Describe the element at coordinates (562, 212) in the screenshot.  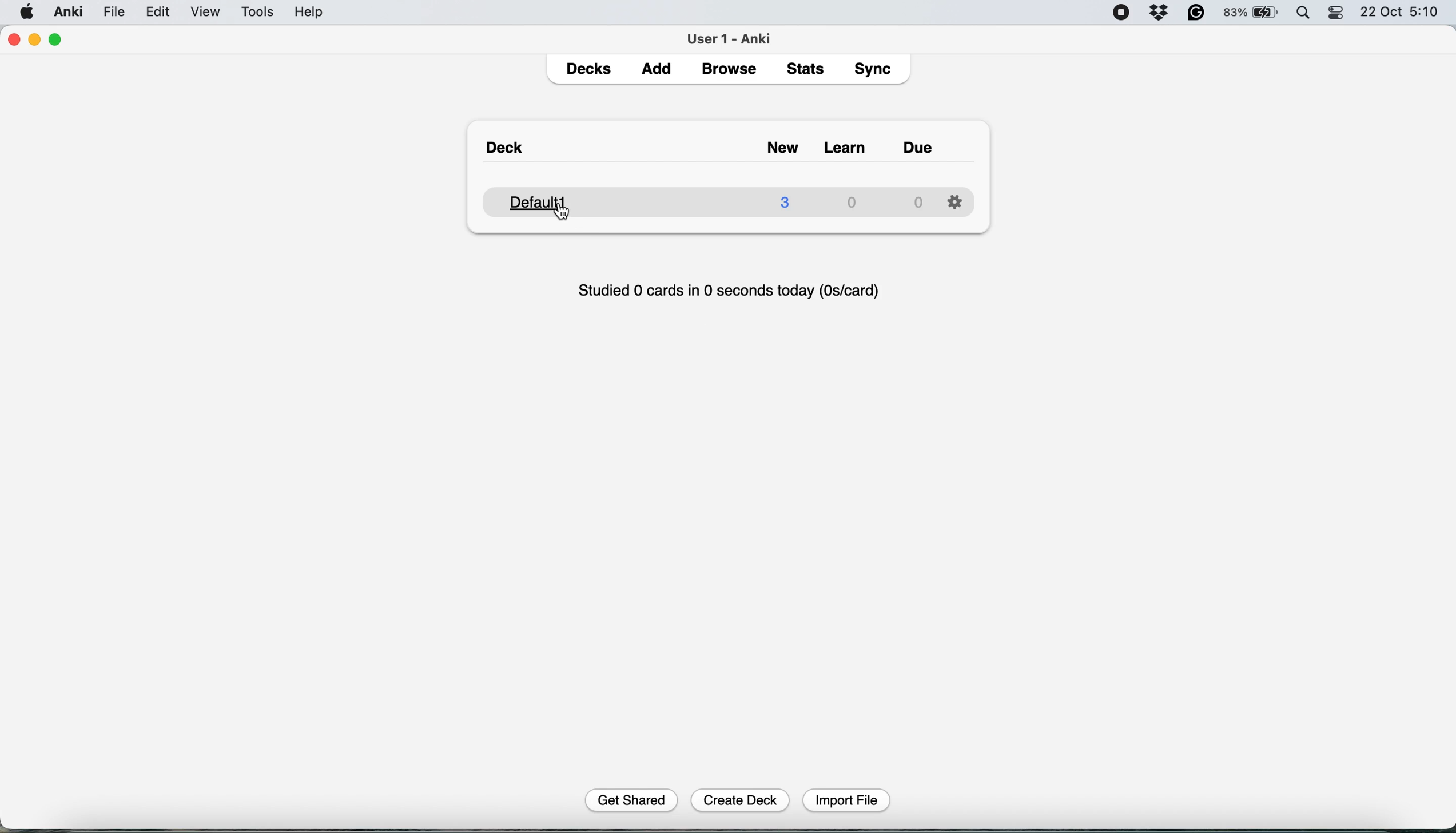
I see `cursor` at that location.